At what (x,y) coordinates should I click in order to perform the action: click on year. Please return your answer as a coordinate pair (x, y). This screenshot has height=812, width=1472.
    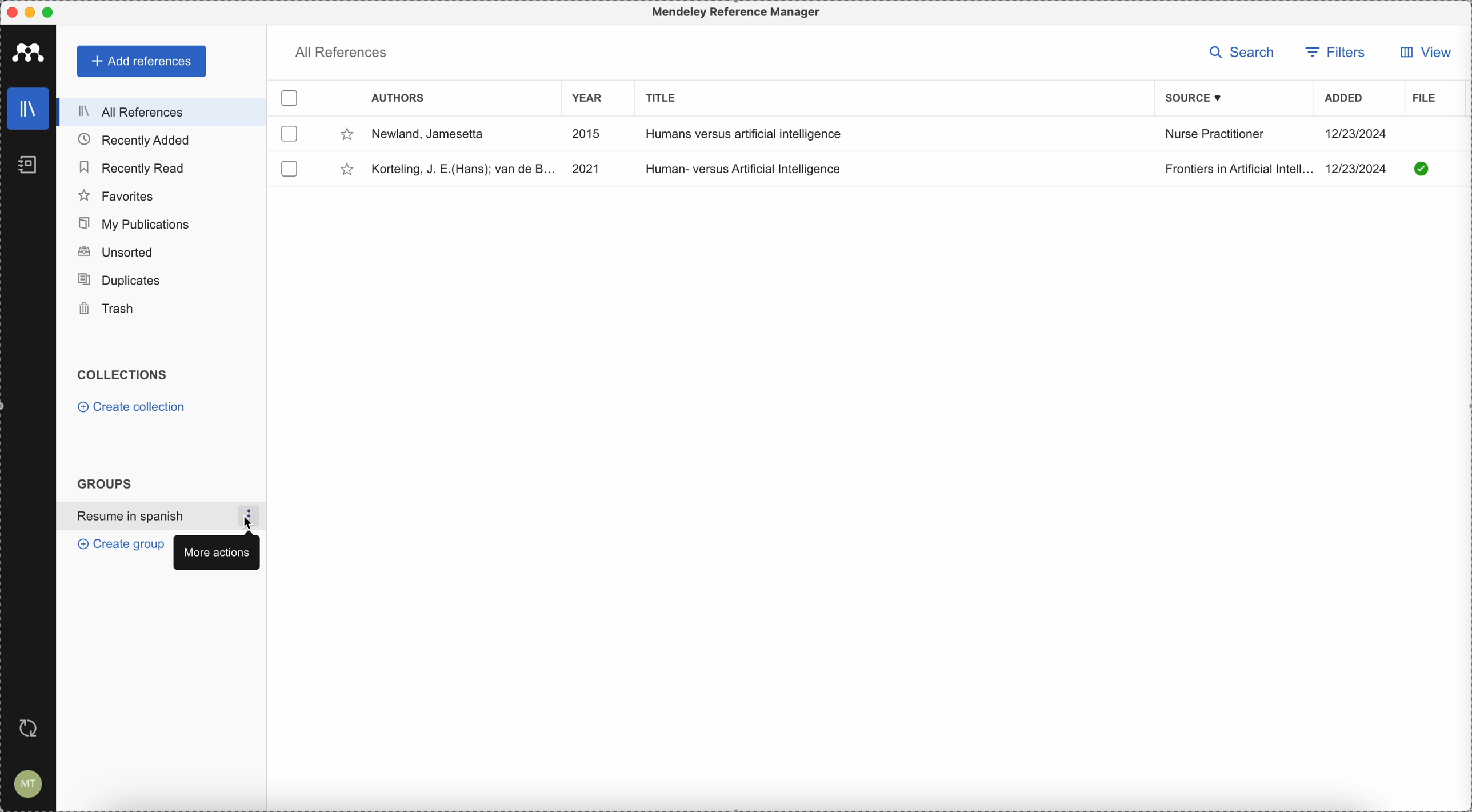
    Looking at the image, I should click on (590, 97).